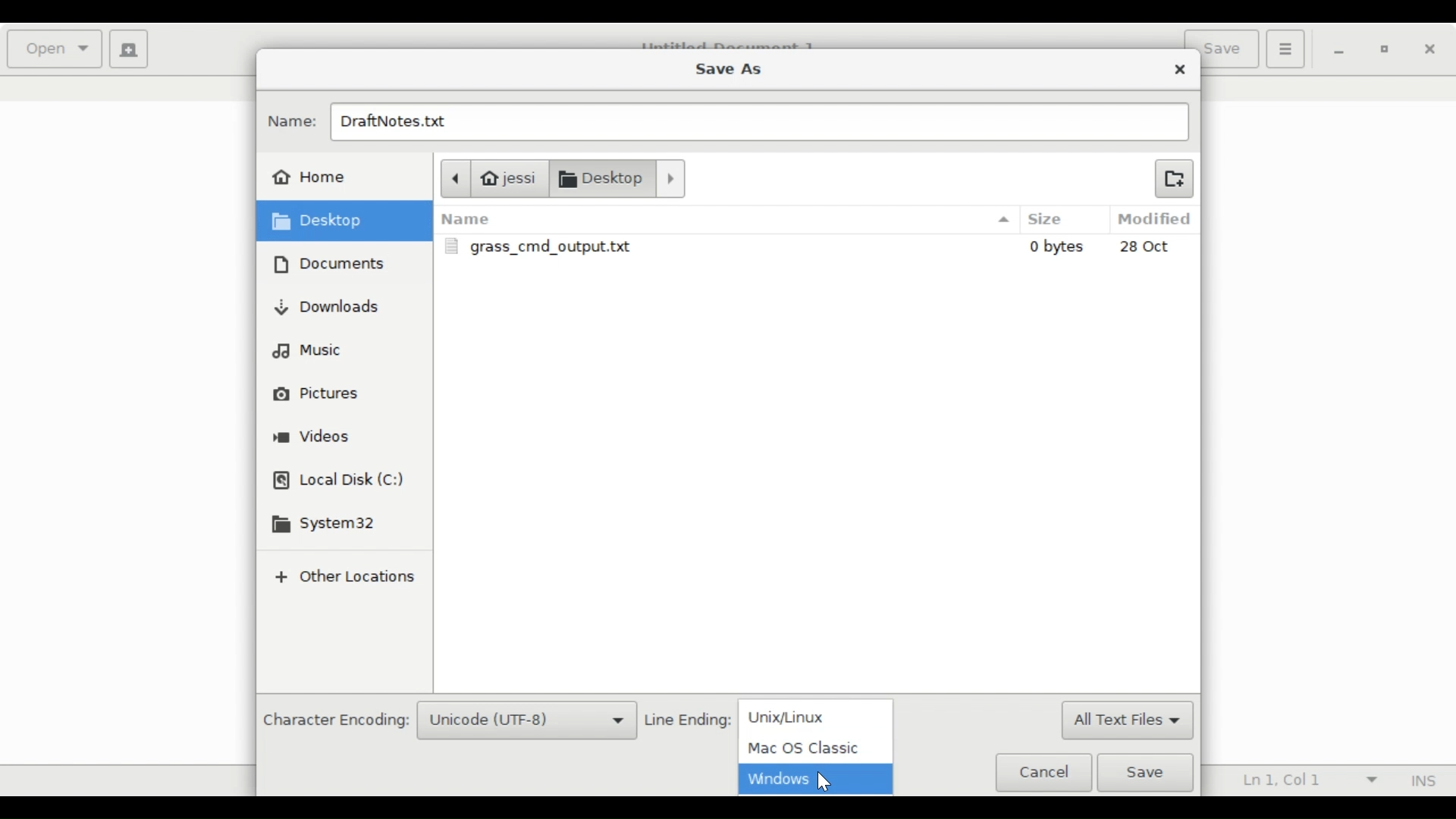 The image size is (1456, 819). Describe the element at coordinates (1058, 220) in the screenshot. I see `Size` at that location.